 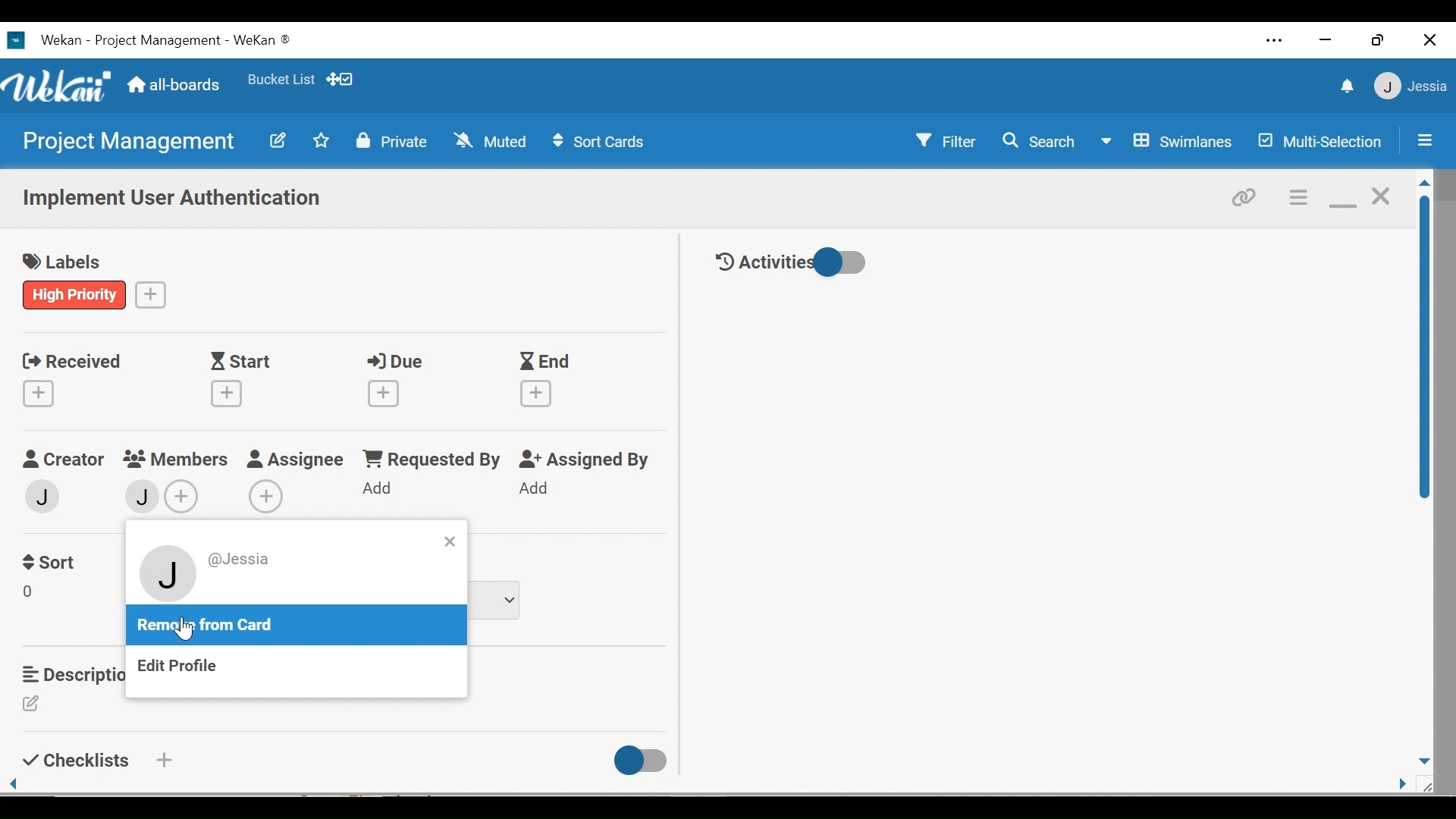 I want to click on Description, so click(x=68, y=674).